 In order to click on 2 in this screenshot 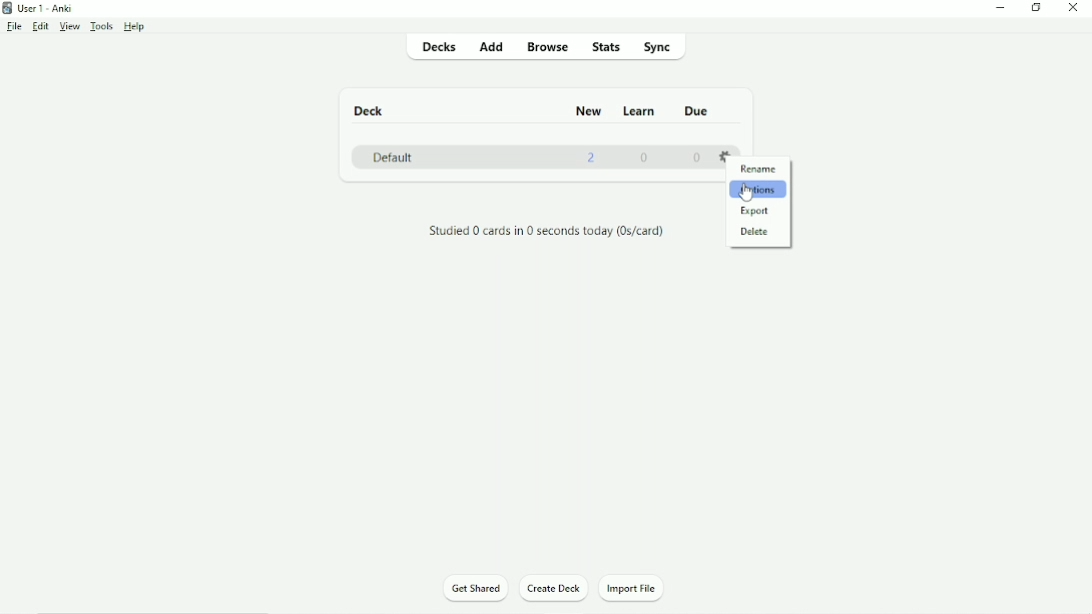, I will do `click(592, 157)`.